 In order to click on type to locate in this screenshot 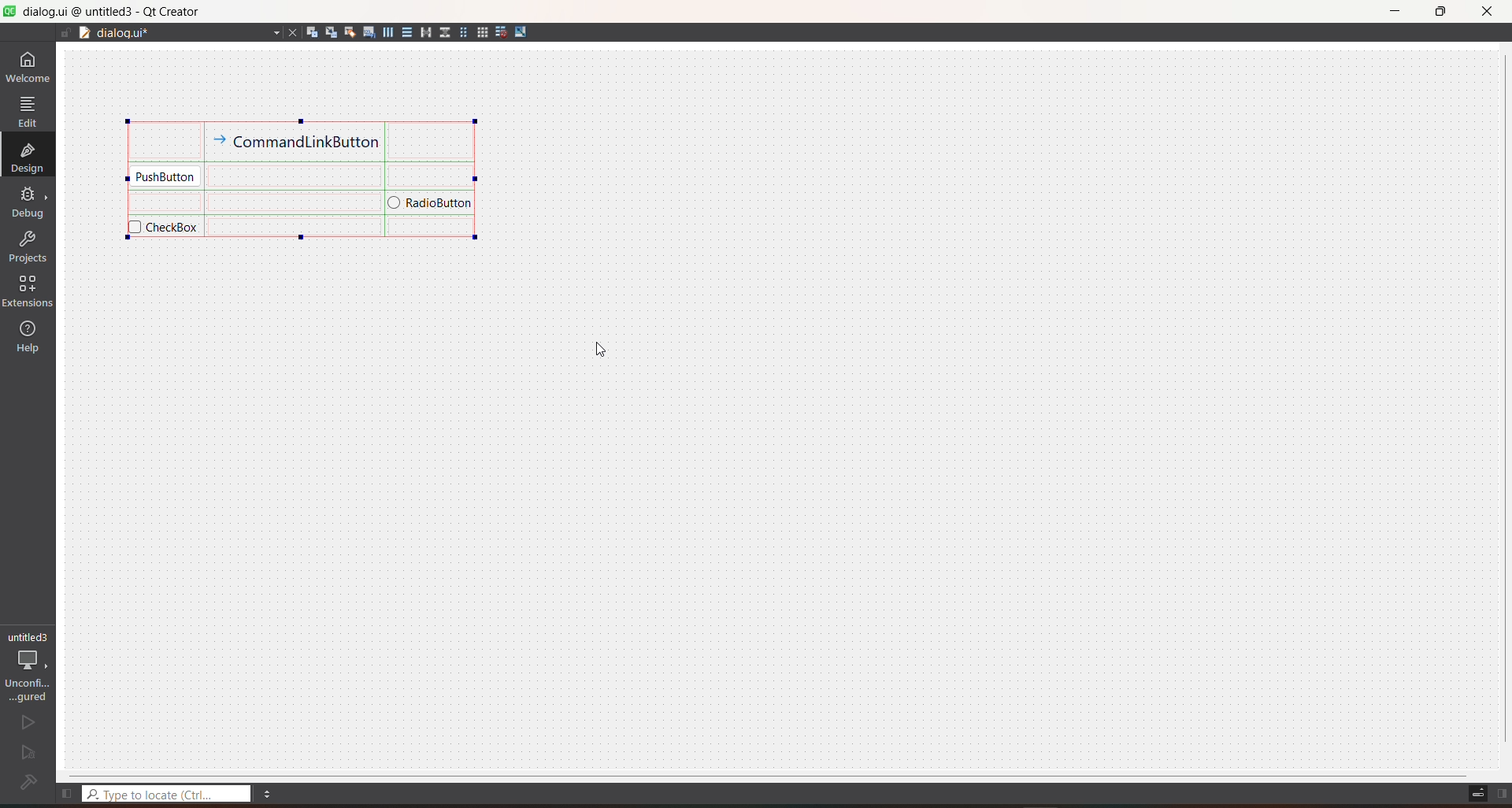, I will do `click(169, 791)`.